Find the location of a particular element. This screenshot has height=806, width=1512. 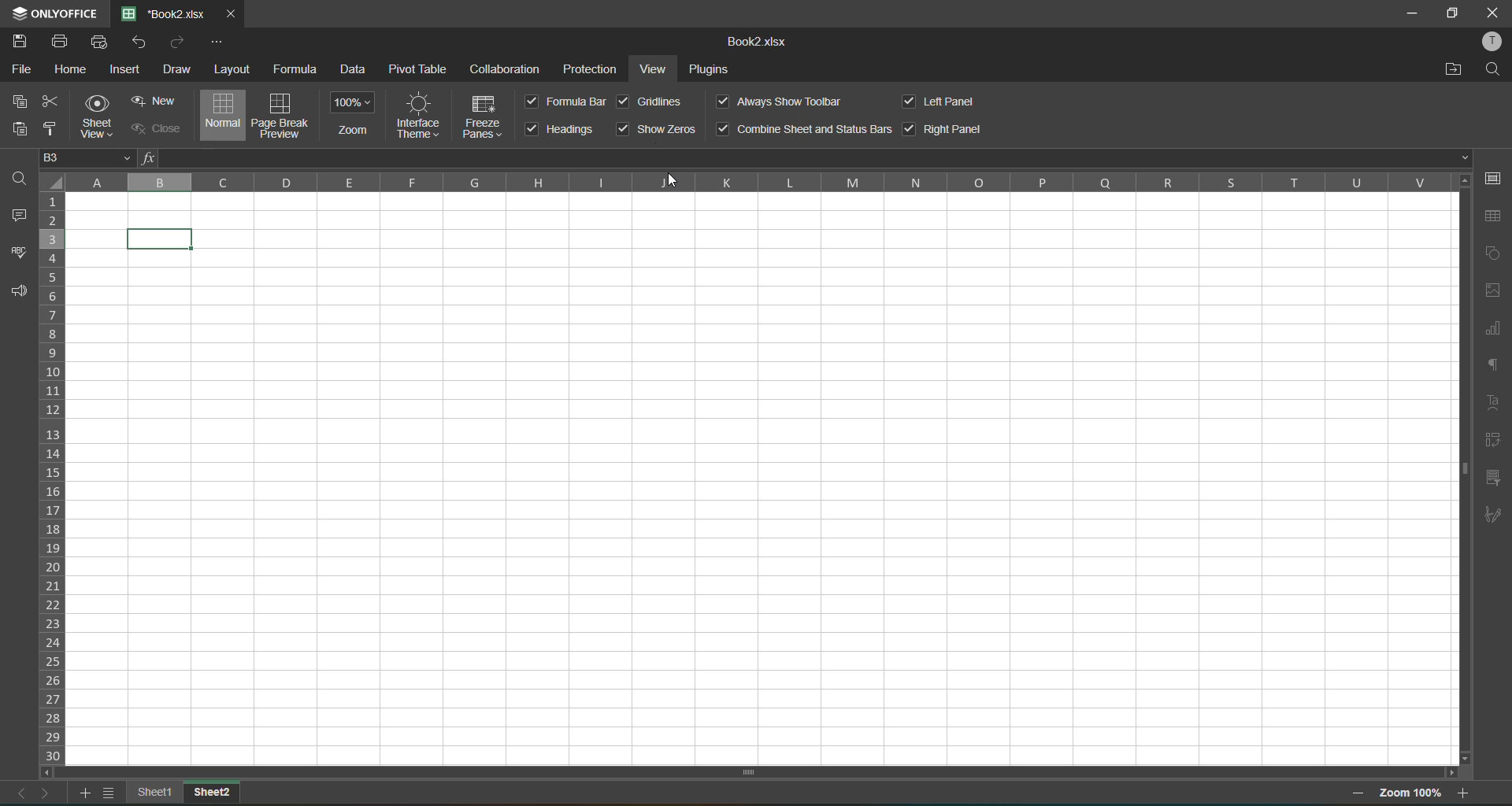

find is located at coordinates (1496, 66).